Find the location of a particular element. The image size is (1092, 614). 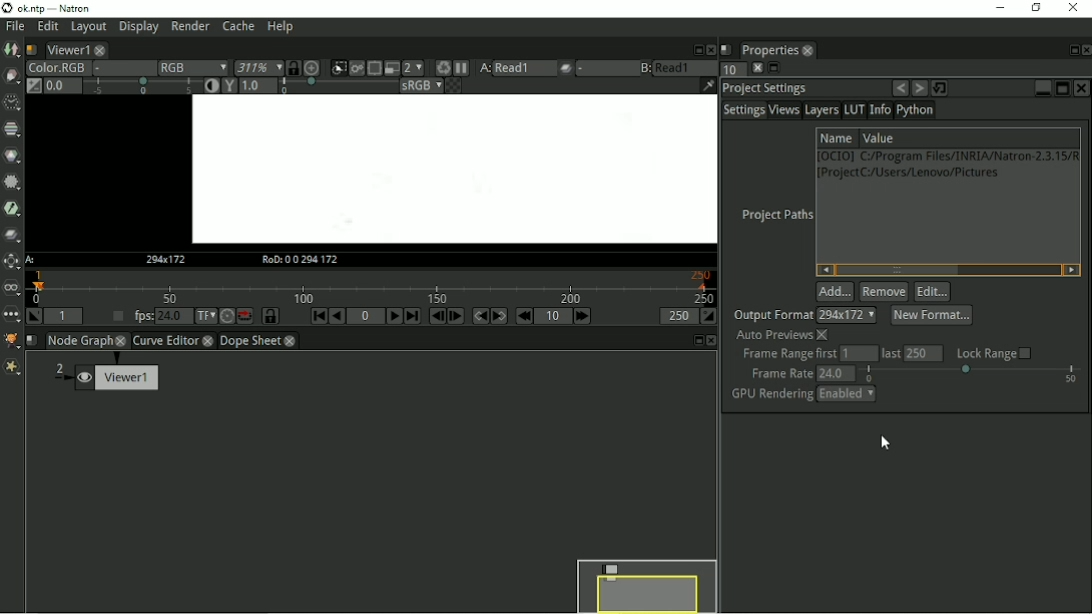

Curve Editor is located at coordinates (165, 340).